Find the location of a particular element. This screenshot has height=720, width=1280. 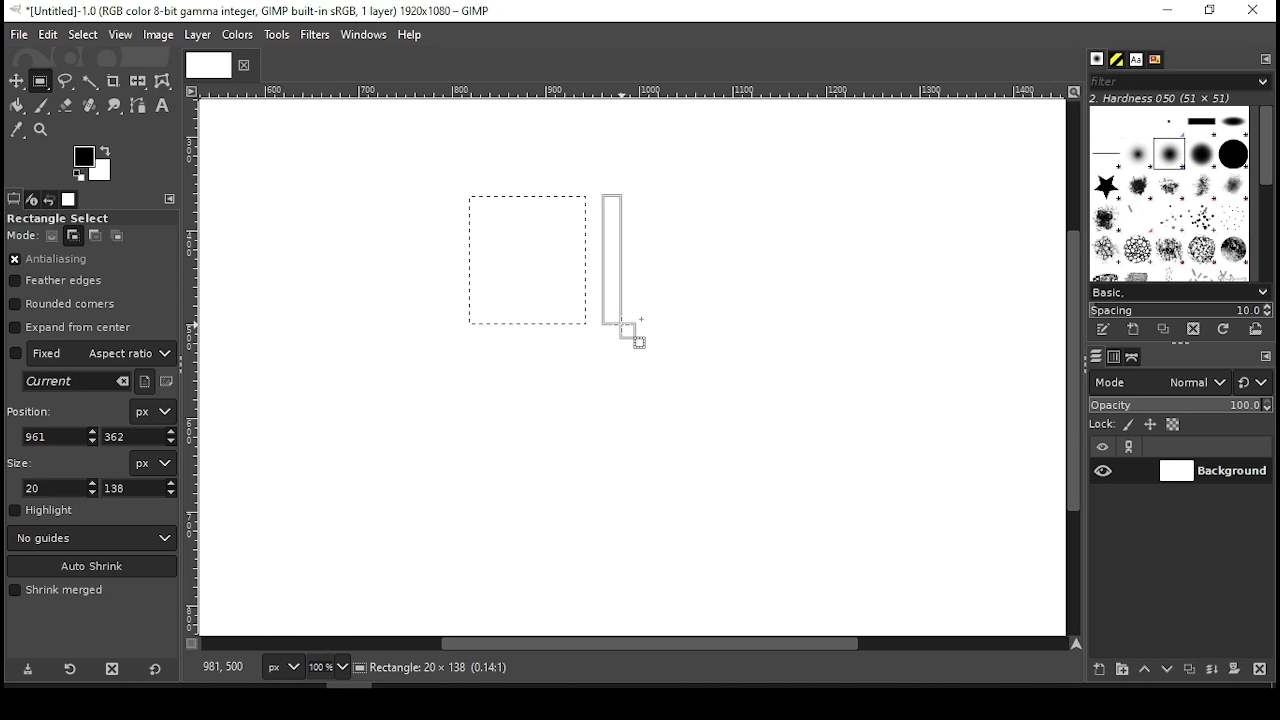

y is located at coordinates (137, 437).